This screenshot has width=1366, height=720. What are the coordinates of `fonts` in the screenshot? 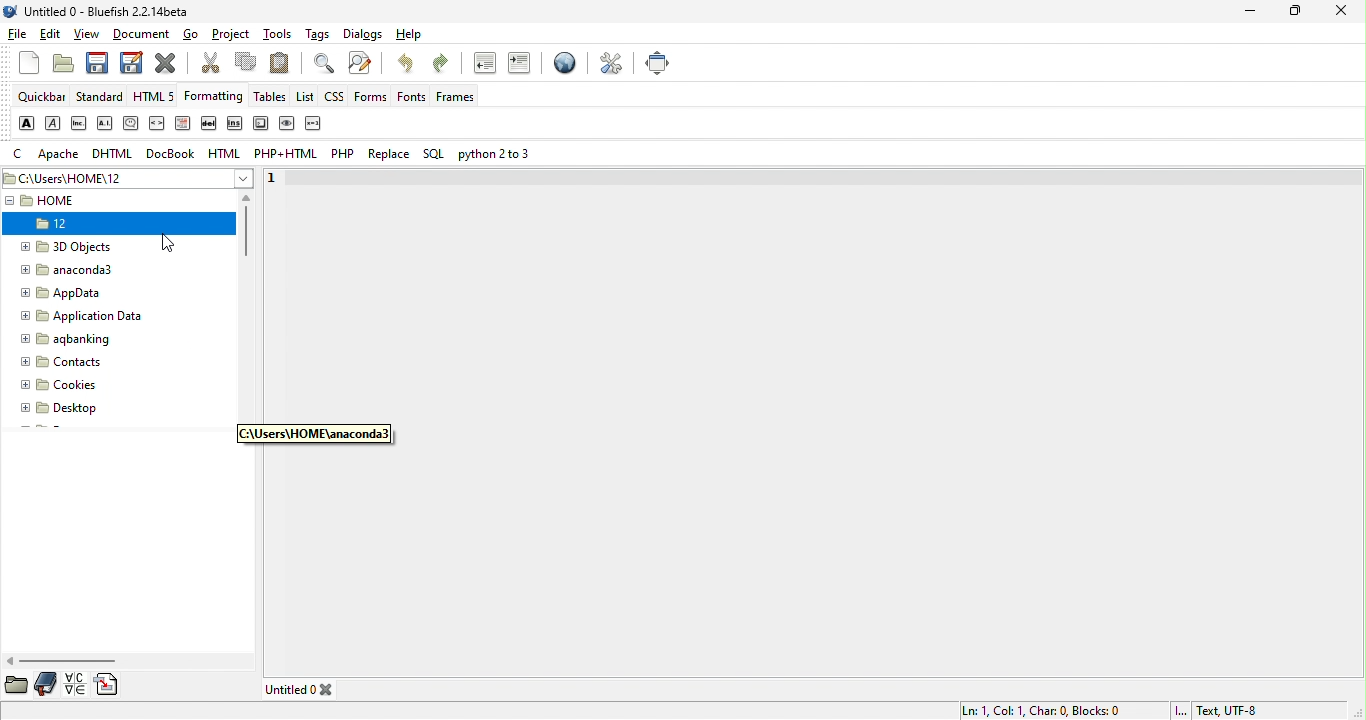 It's located at (415, 98).